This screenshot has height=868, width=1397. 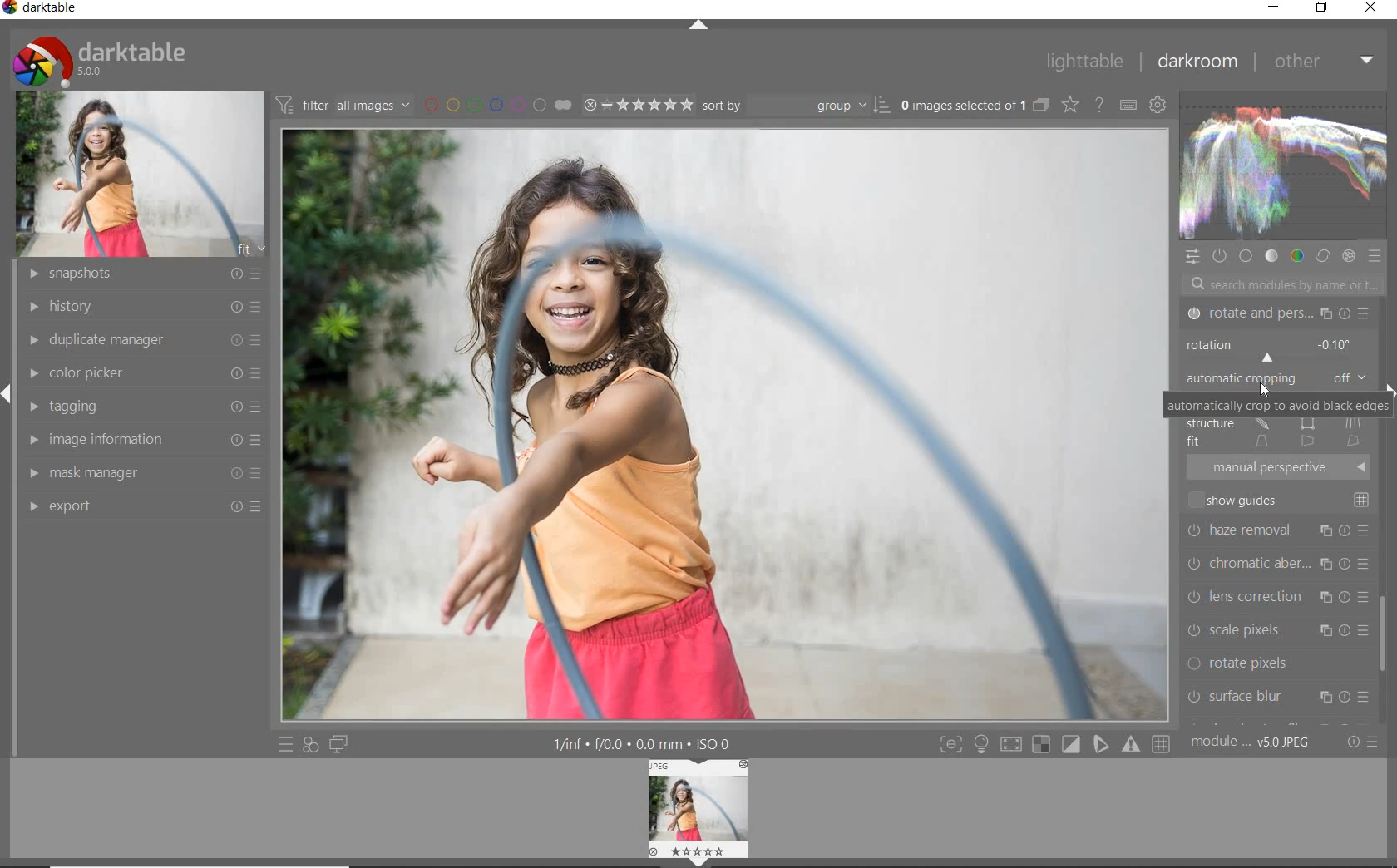 What do you see at coordinates (1084, 62) in the screenshot?
I see `lighttable` at bounding box center [1084, 62].